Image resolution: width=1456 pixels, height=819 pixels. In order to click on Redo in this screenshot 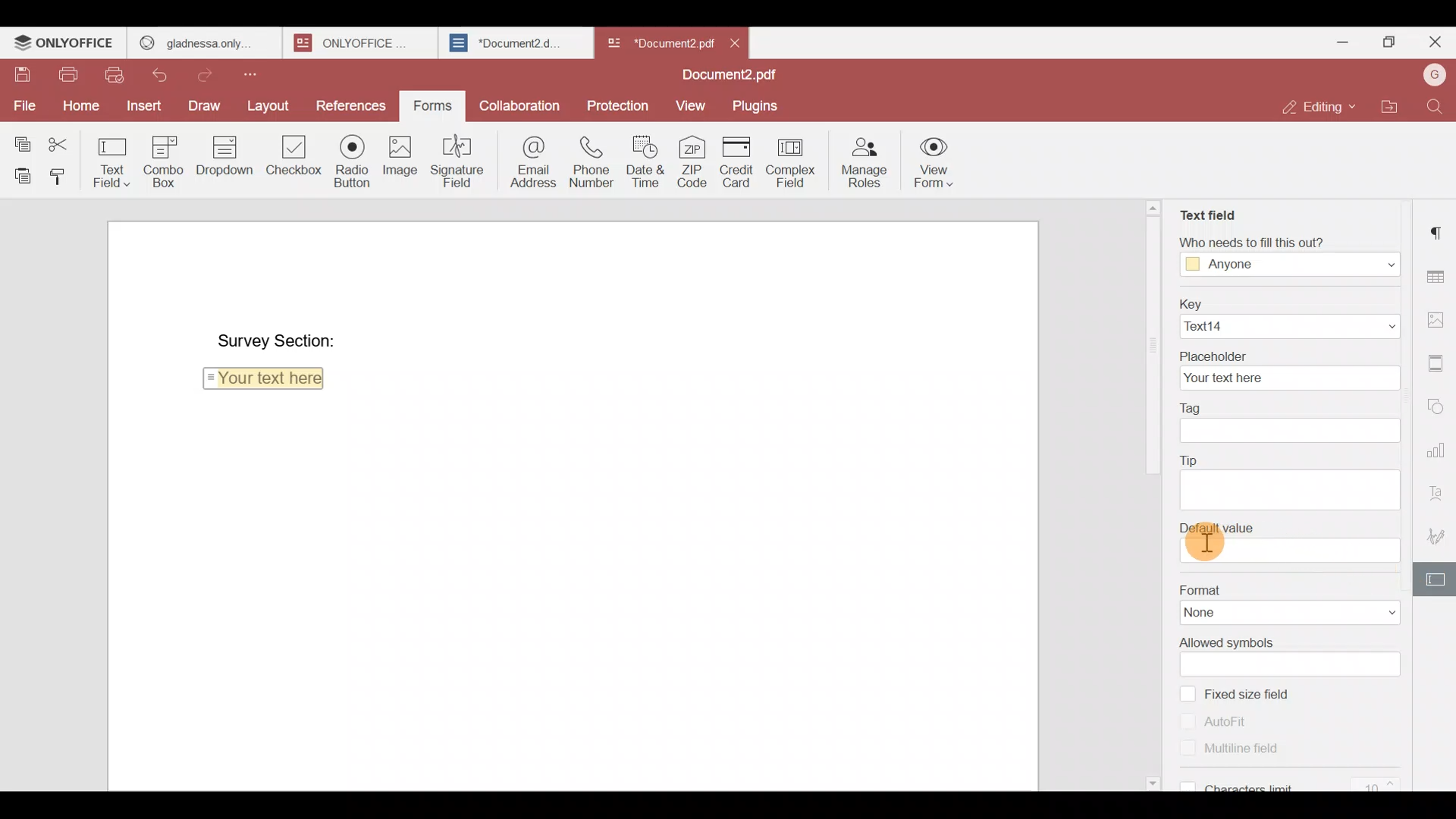, I will do `click(210, 73)`.